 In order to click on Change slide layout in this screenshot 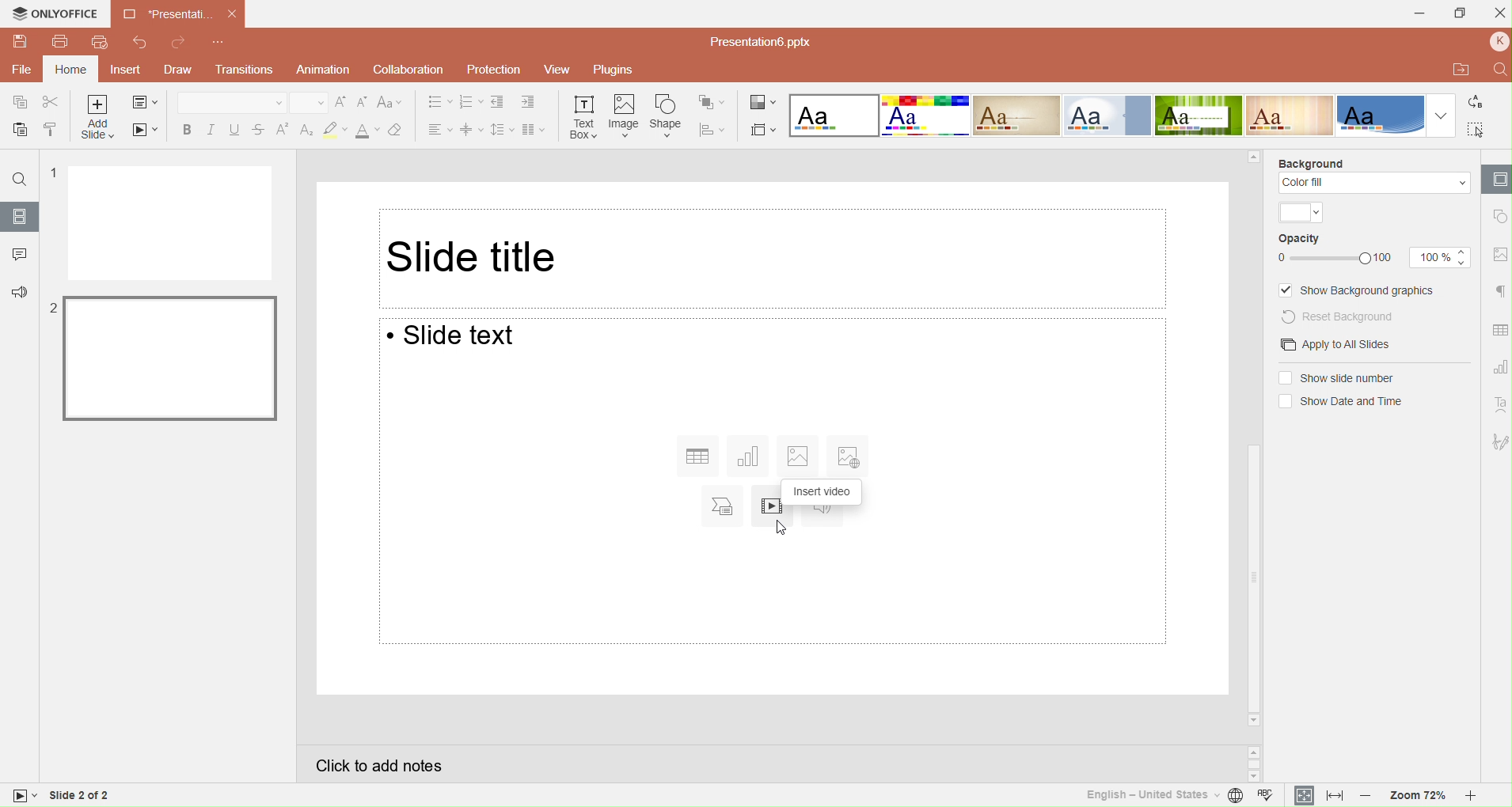, I will do `click(146, 103)`.